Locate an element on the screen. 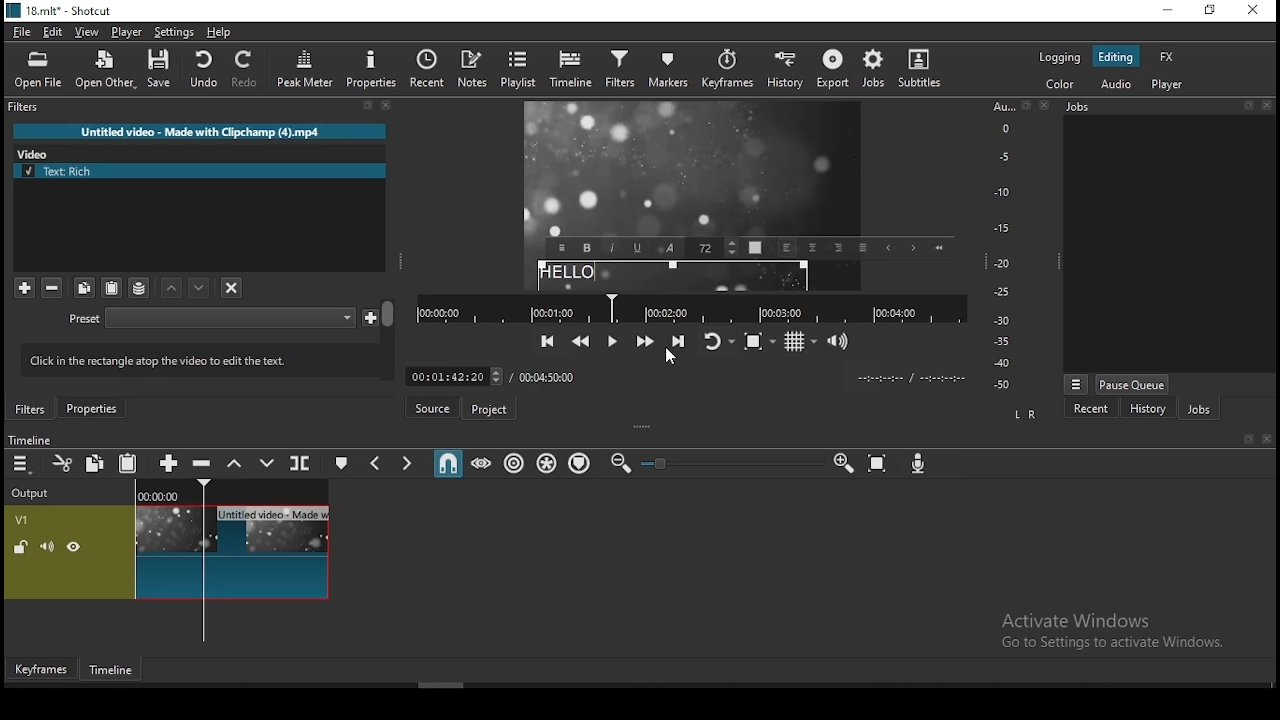 This screenshot has width=1280, height=720. timeline is located at coordinates (113, 671).